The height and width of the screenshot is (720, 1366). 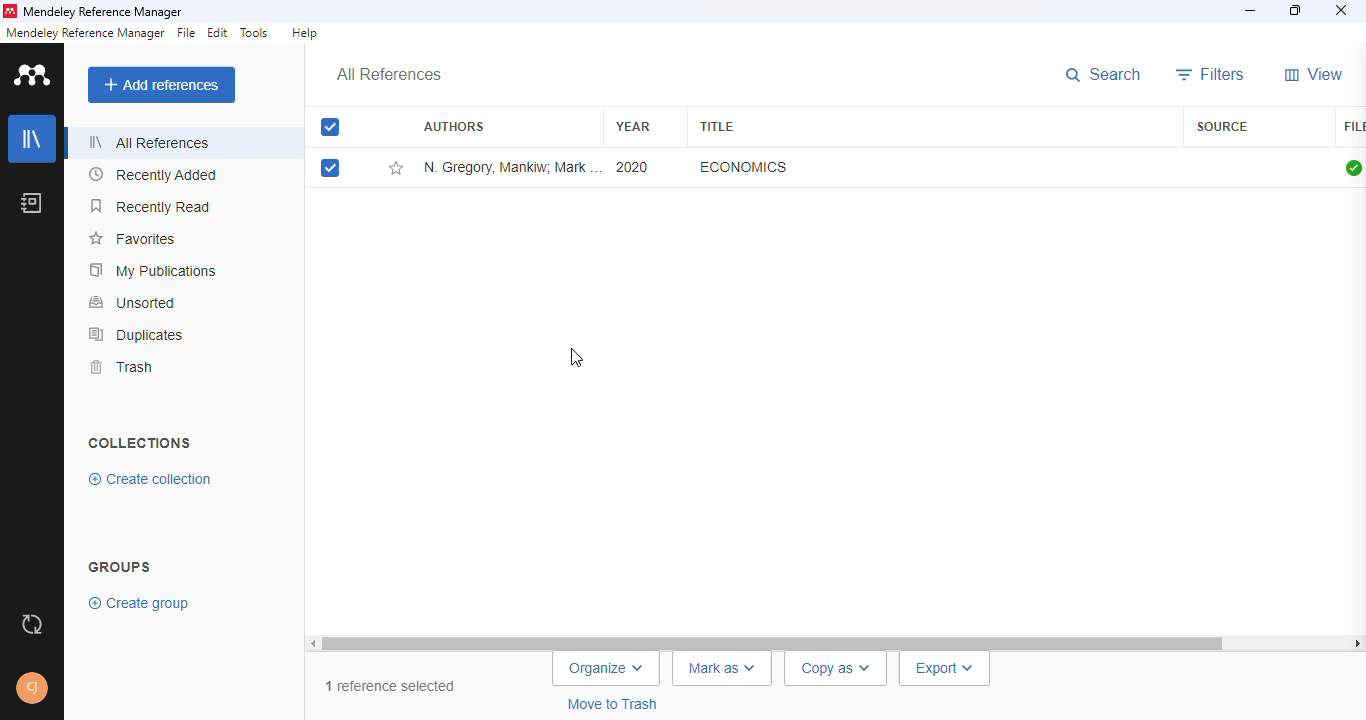 What do you see at coordinates (85, 33) in the screenshot?
I see `mendeley reference manager` at bounding box center [85, 33].